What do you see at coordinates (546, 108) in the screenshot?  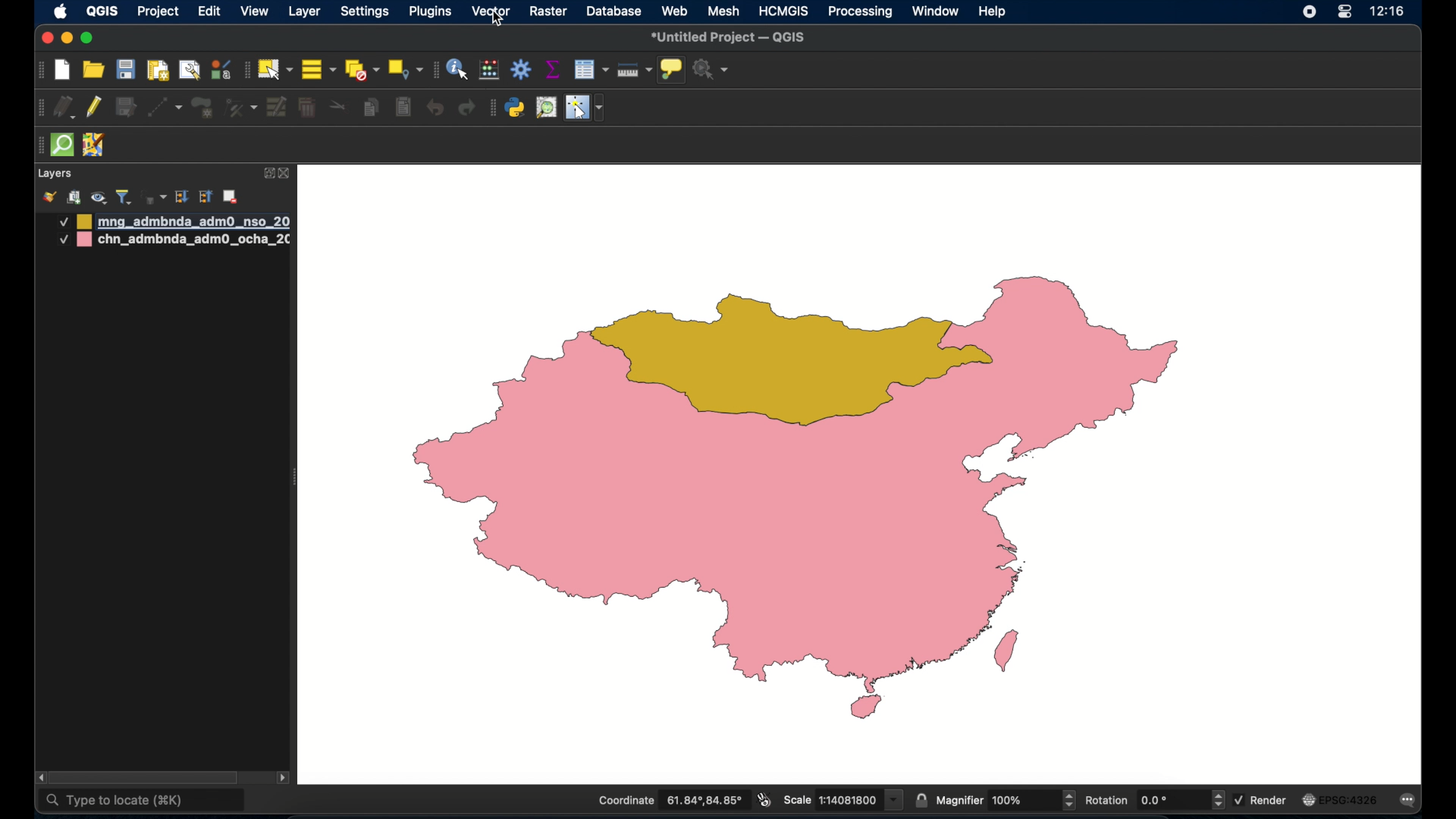 I see `osm place search` at bounding box center [546, 108].